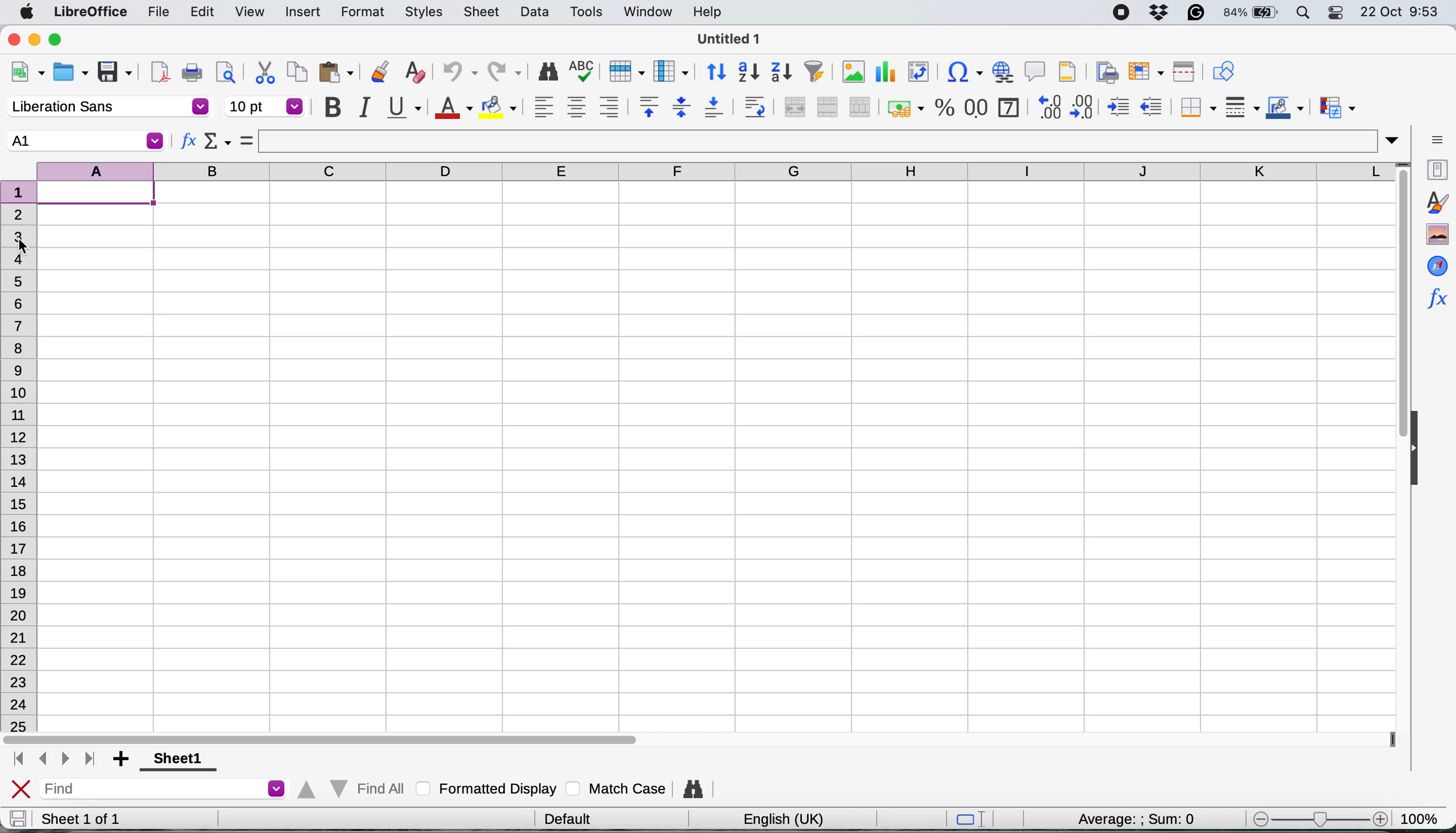 The image size is (1456, 833). What do you see at coordinates (1036, 71) in the screenshot?
I see `insert comment` at bounding box center [1036, 71].